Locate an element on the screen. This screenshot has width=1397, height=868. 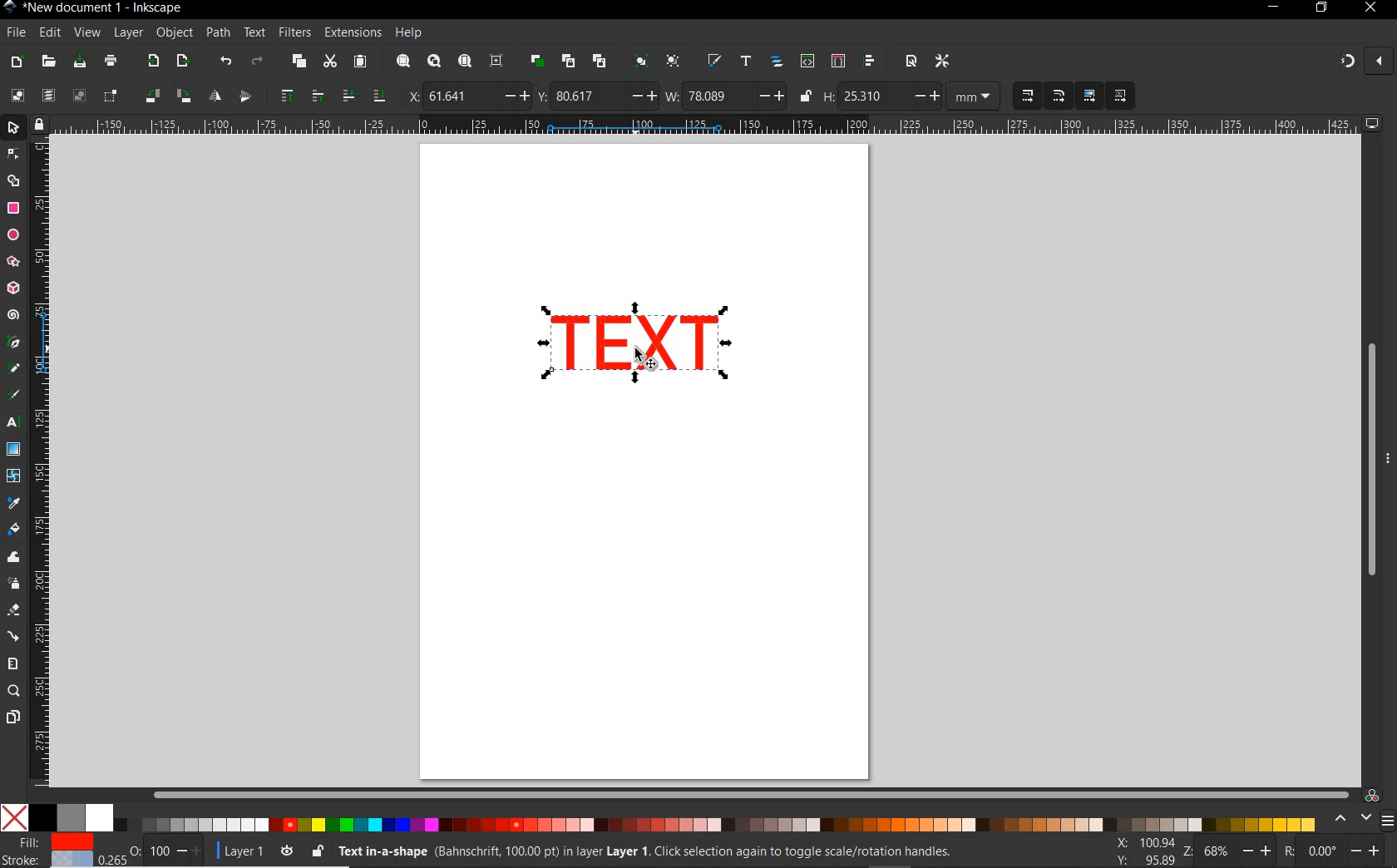
width of selection is located at coordinates (725, 96).